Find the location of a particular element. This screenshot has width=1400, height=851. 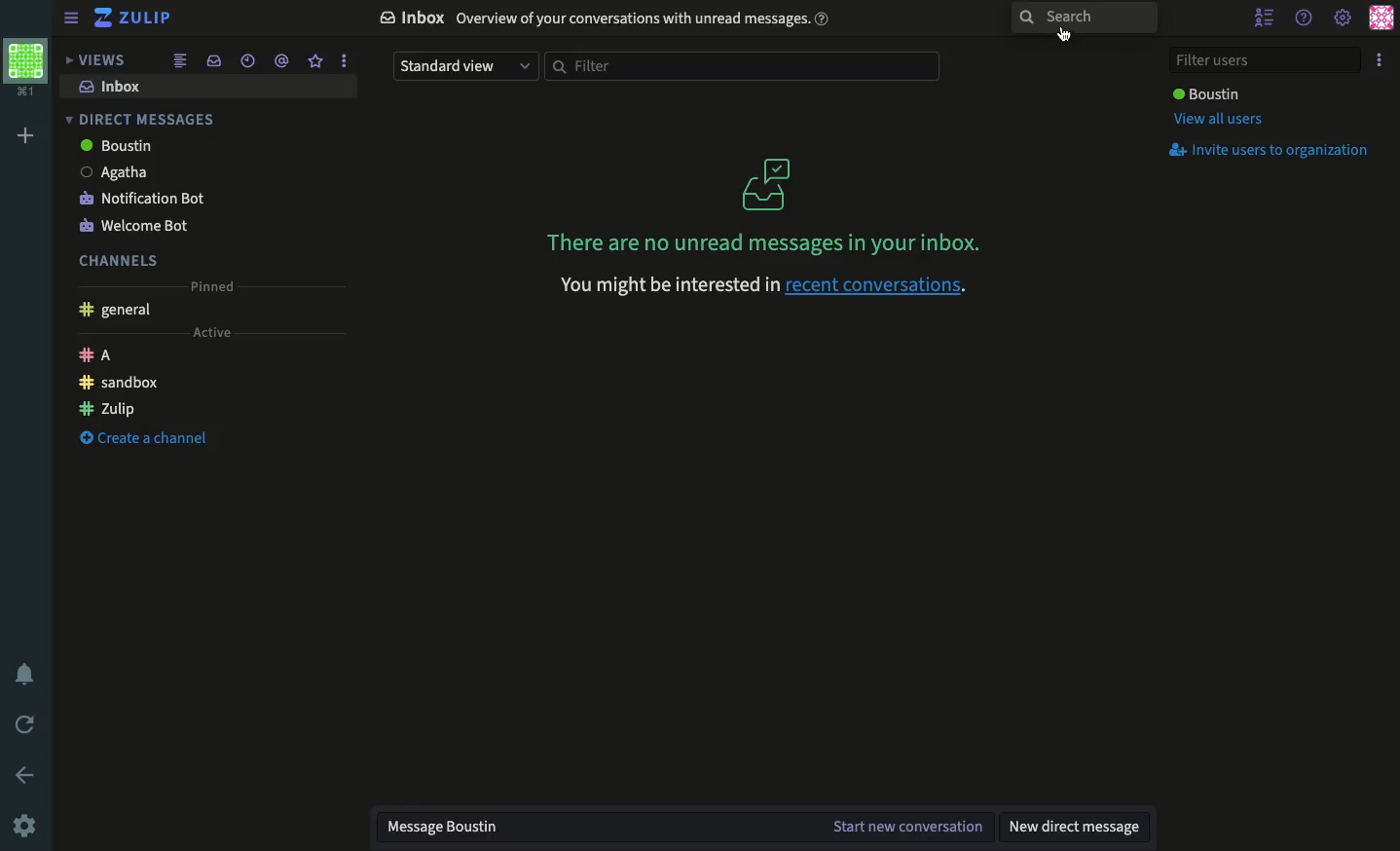

icon is located at coordinates (767, 183).